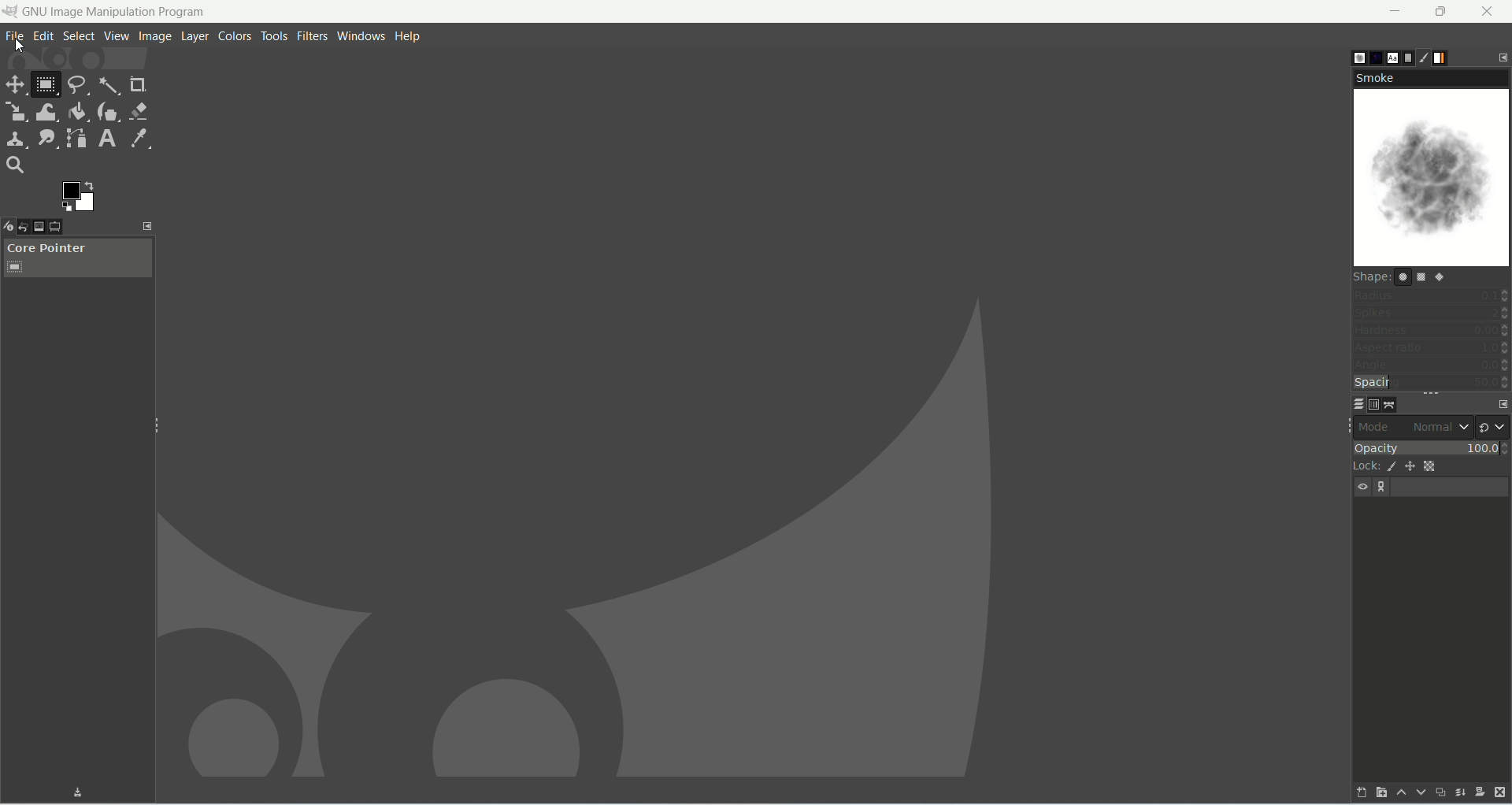  Describe the element at coordinates (1362, 467) in the screenshot. I see `lock` at that location.